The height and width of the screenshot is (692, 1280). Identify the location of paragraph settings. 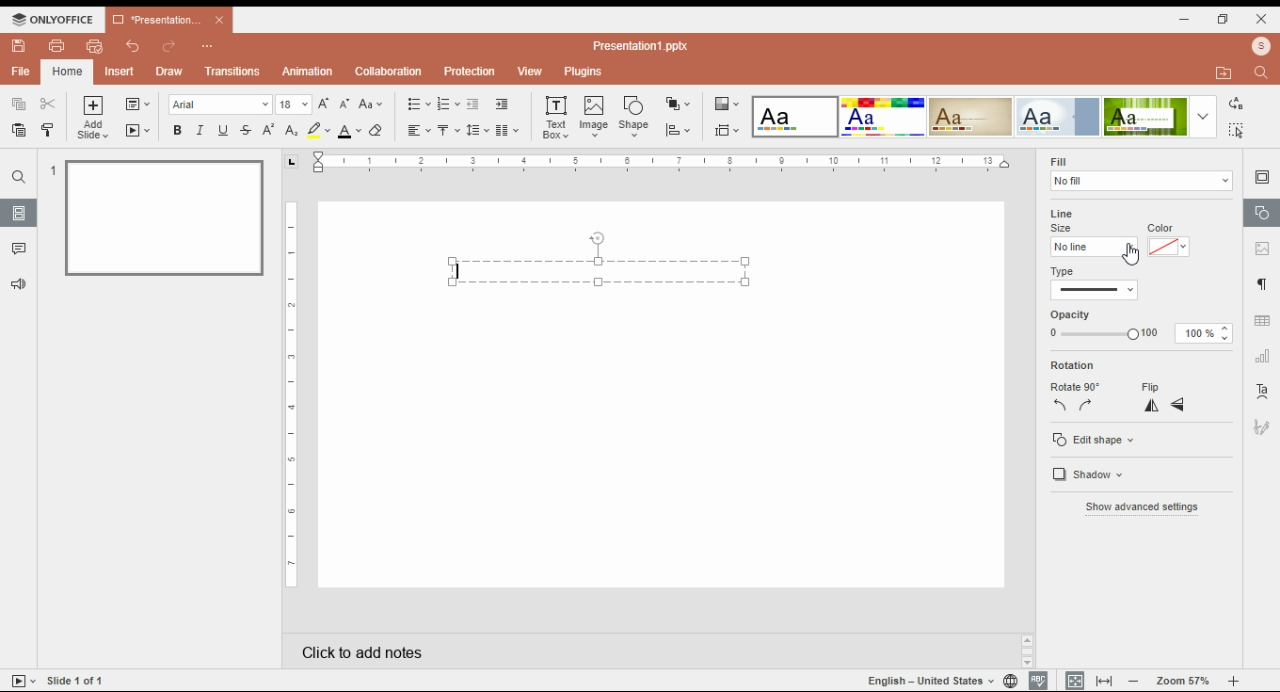
(1261, 285).